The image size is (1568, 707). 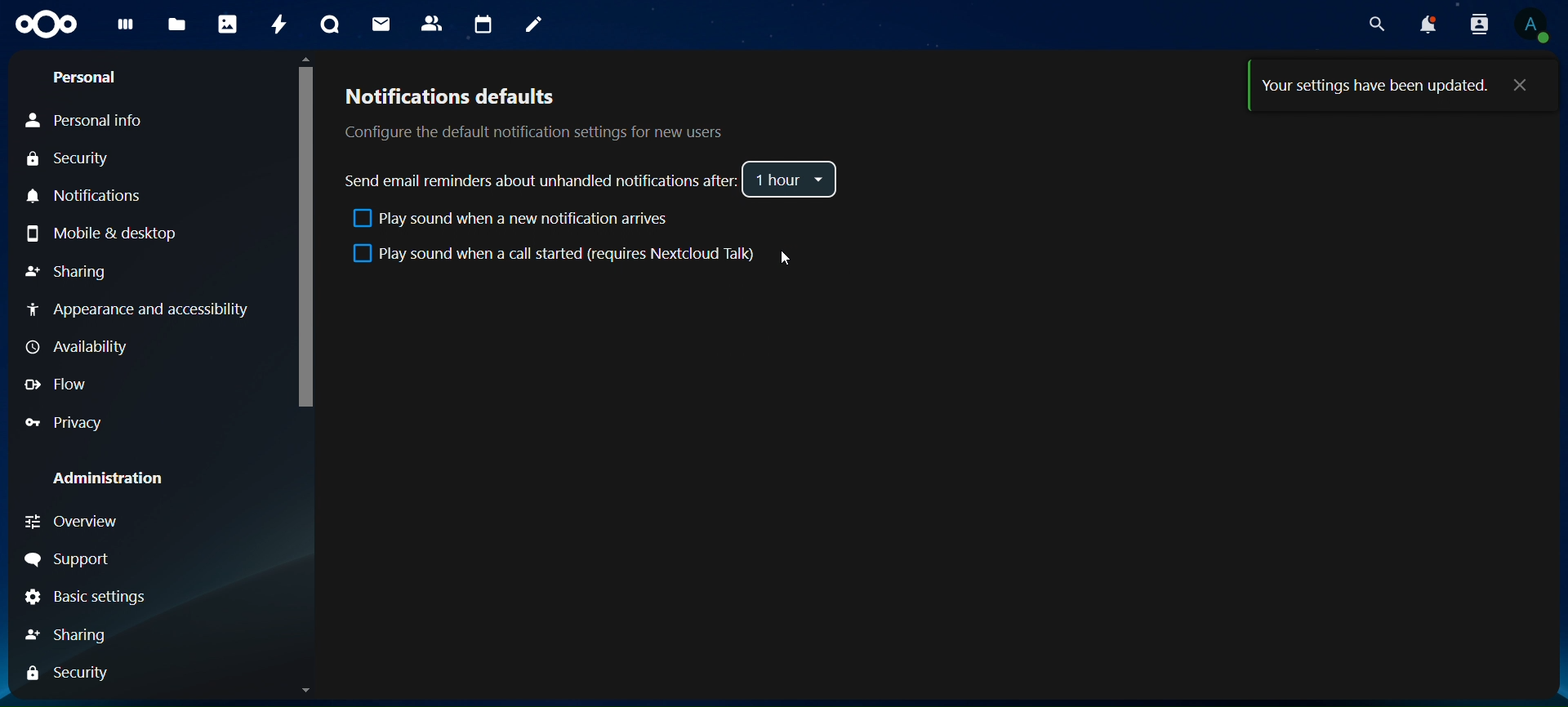 What do you see at coordinates (102, 233) in the screenshot?
I see `Mobile & desktop` at bounding box center [102, 233].